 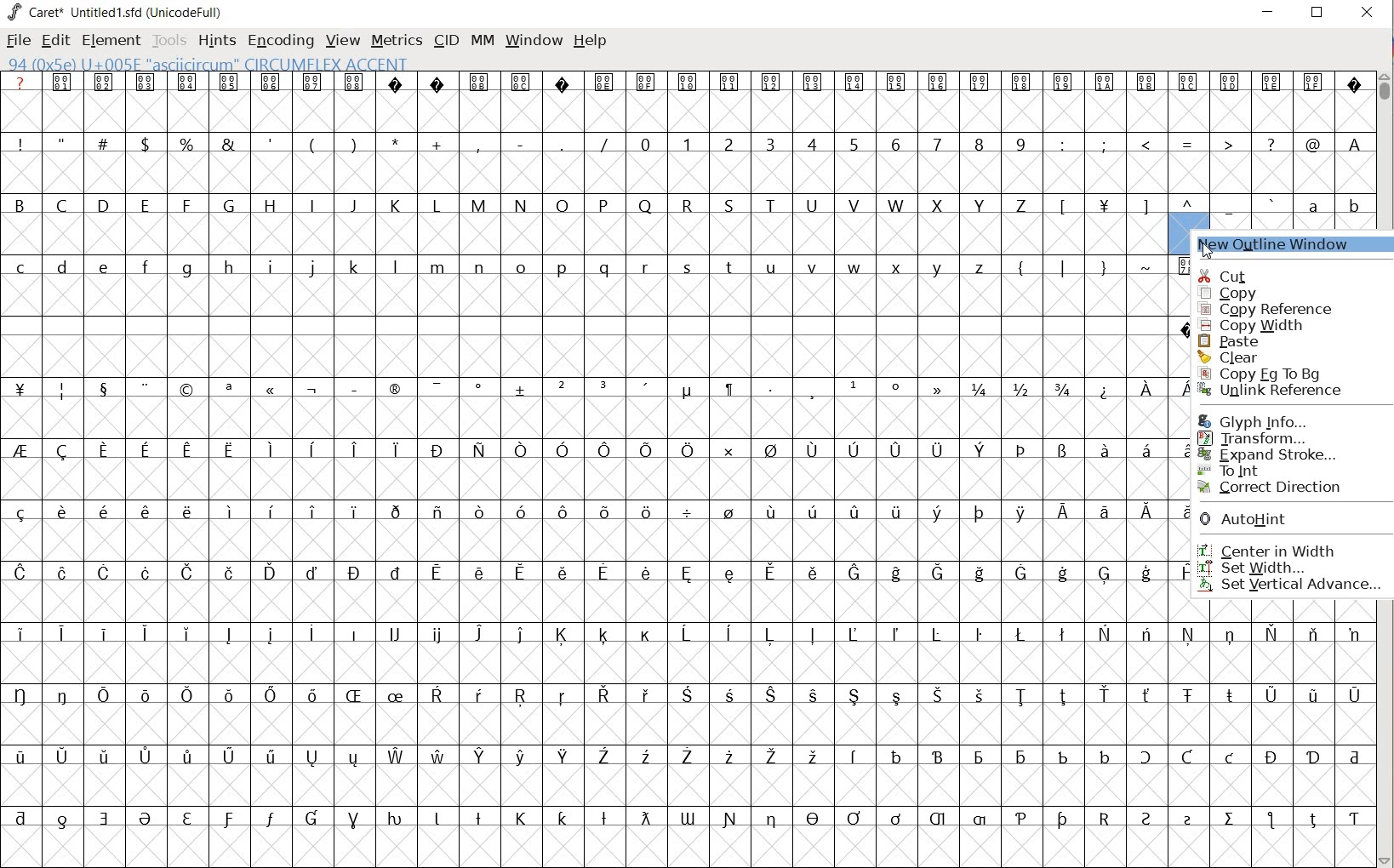 What do you see at coordinates (397, 41) in the screenshot?
I see `METRICS` at bounding box center [397, 41].